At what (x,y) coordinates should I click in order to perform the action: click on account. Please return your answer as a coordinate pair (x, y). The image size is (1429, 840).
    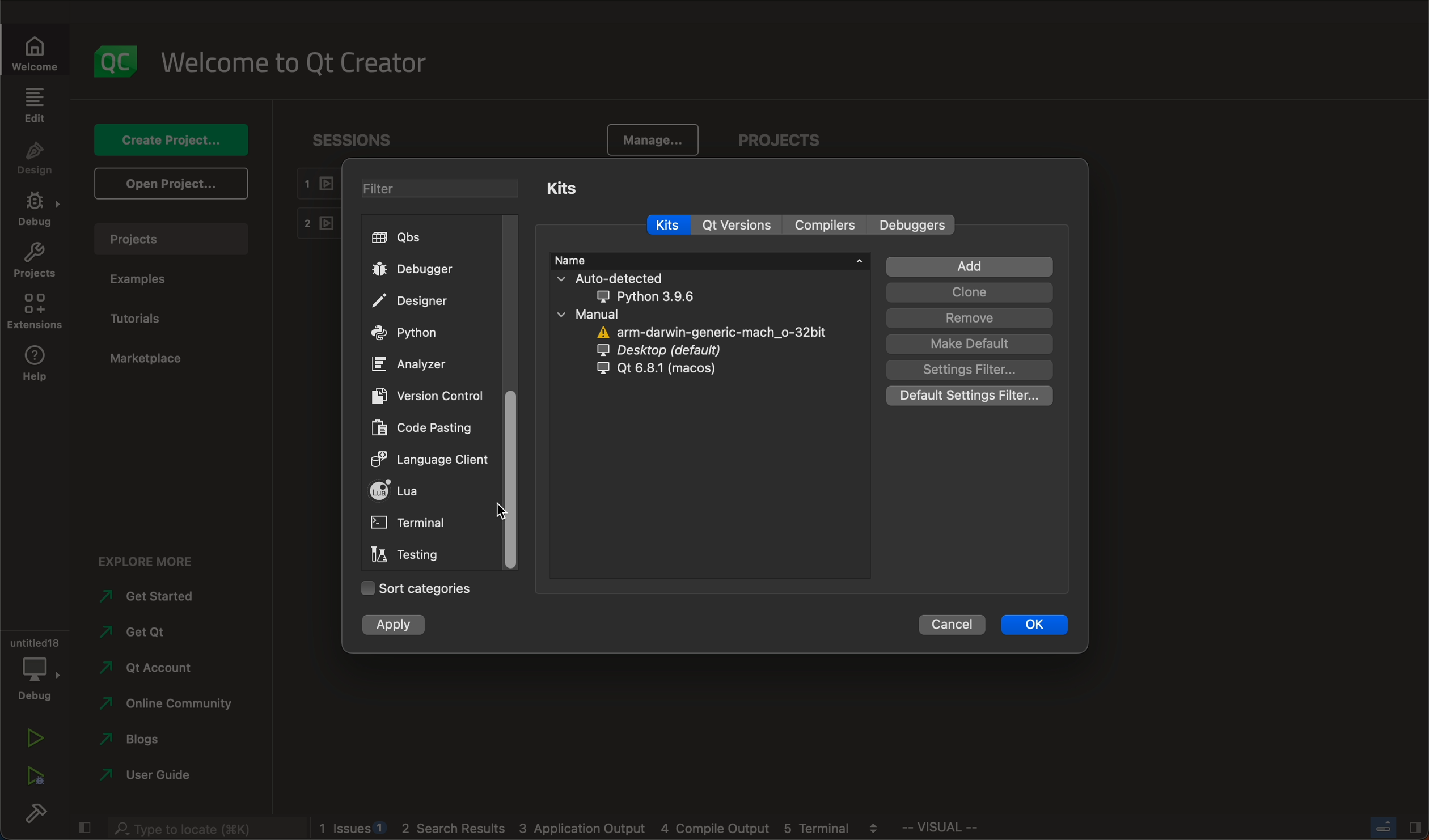
    Looking at the image, I should click on (152, 664).